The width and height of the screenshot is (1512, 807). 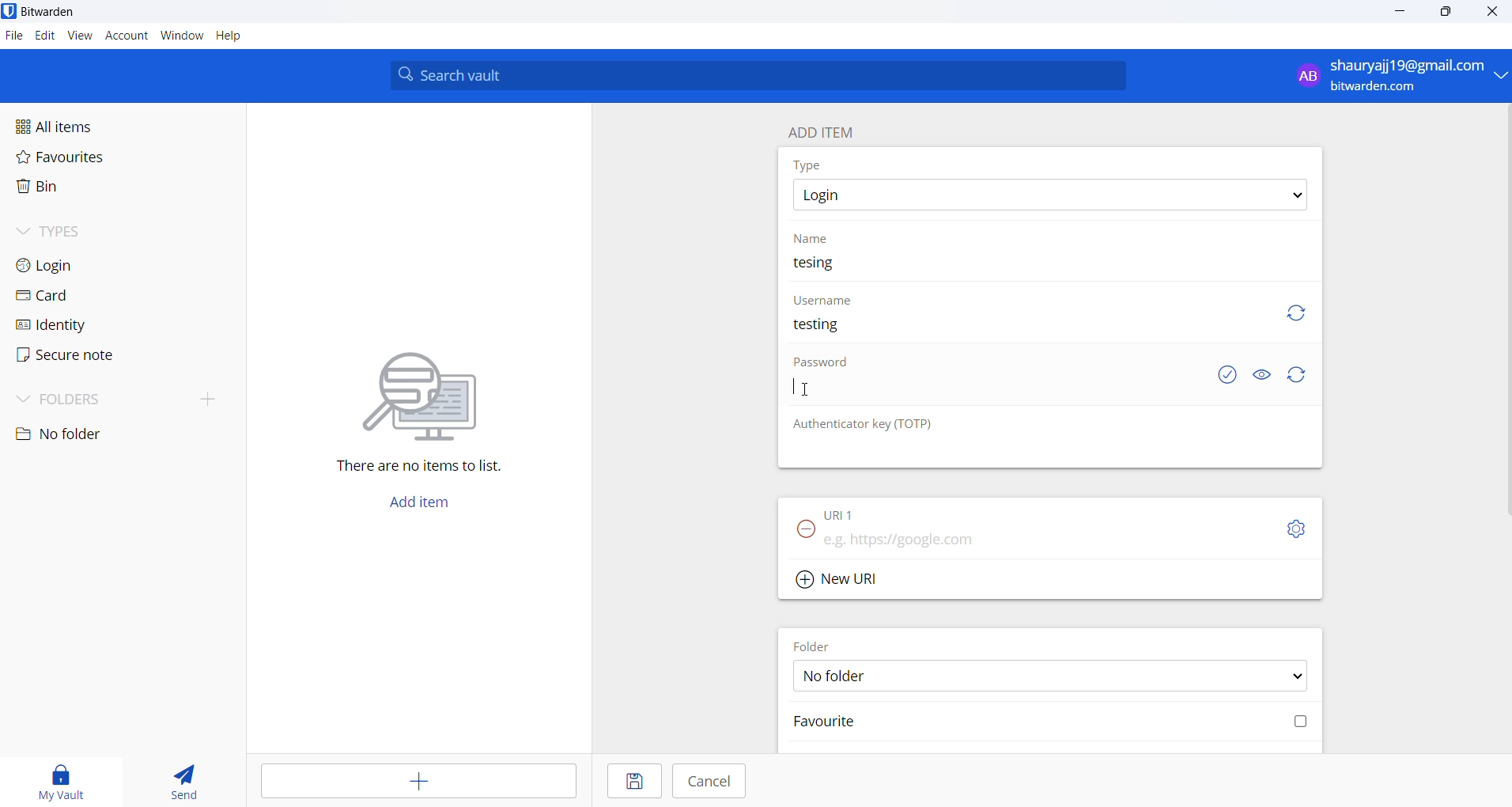 I want to click on Mark folder favorite checkbox, so click(x=1048, y=723).